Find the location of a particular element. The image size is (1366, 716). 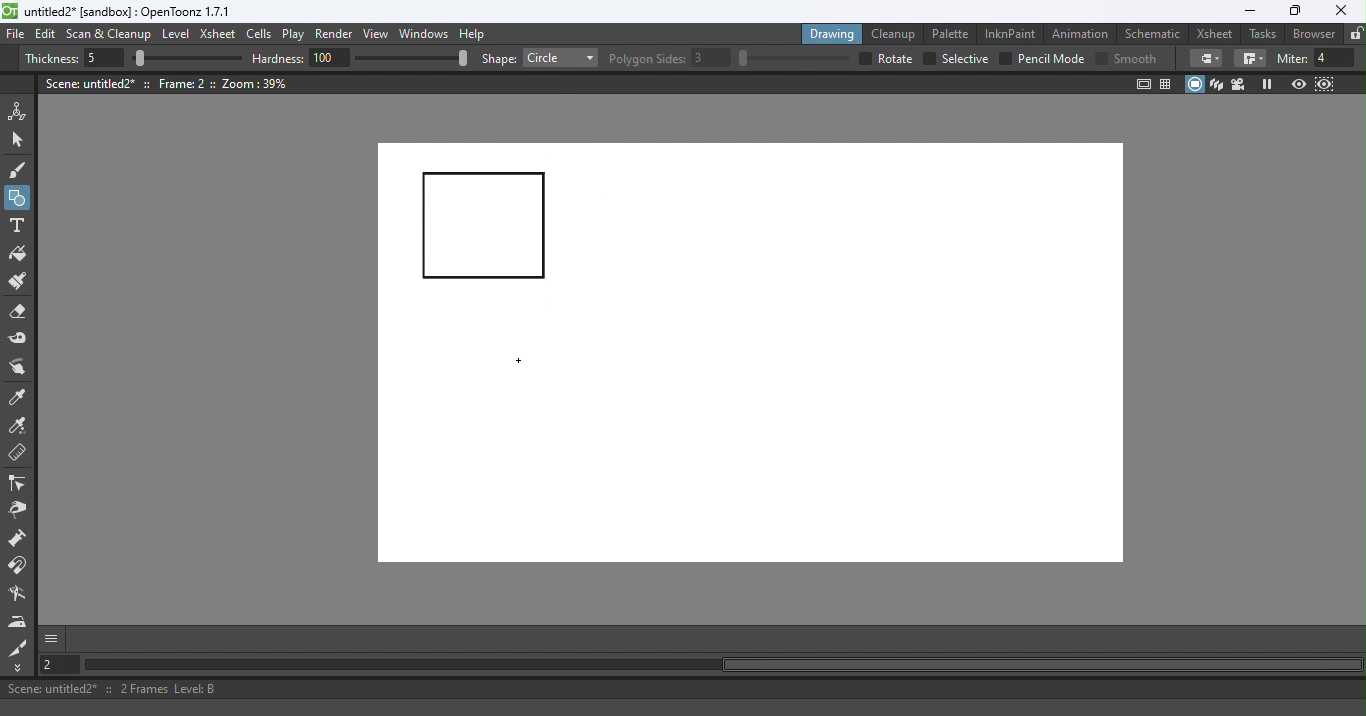

Border corners is located at coordinates (1206, 58).